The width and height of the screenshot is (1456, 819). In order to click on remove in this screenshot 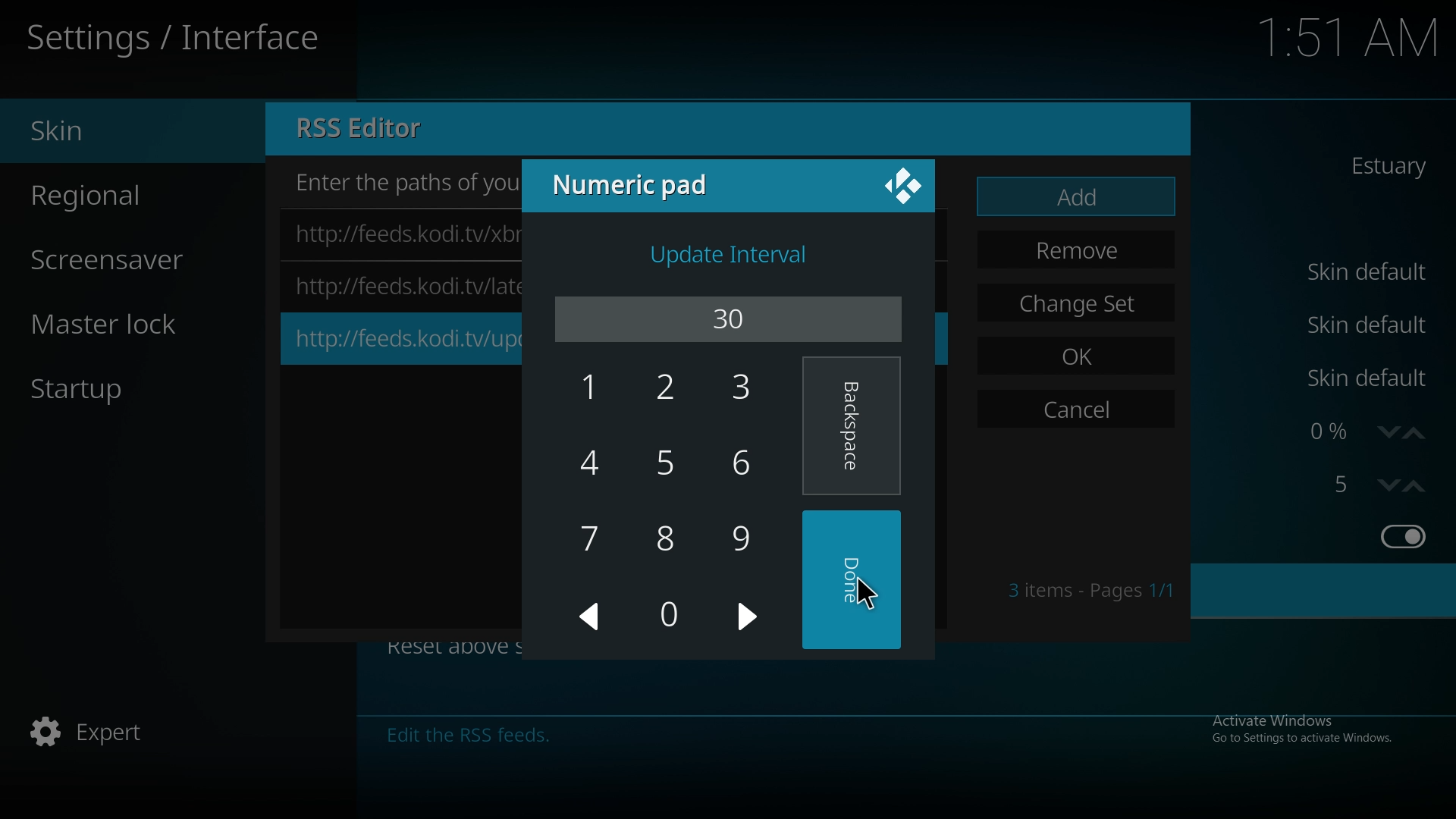, I will do `click(1078, 250)`.